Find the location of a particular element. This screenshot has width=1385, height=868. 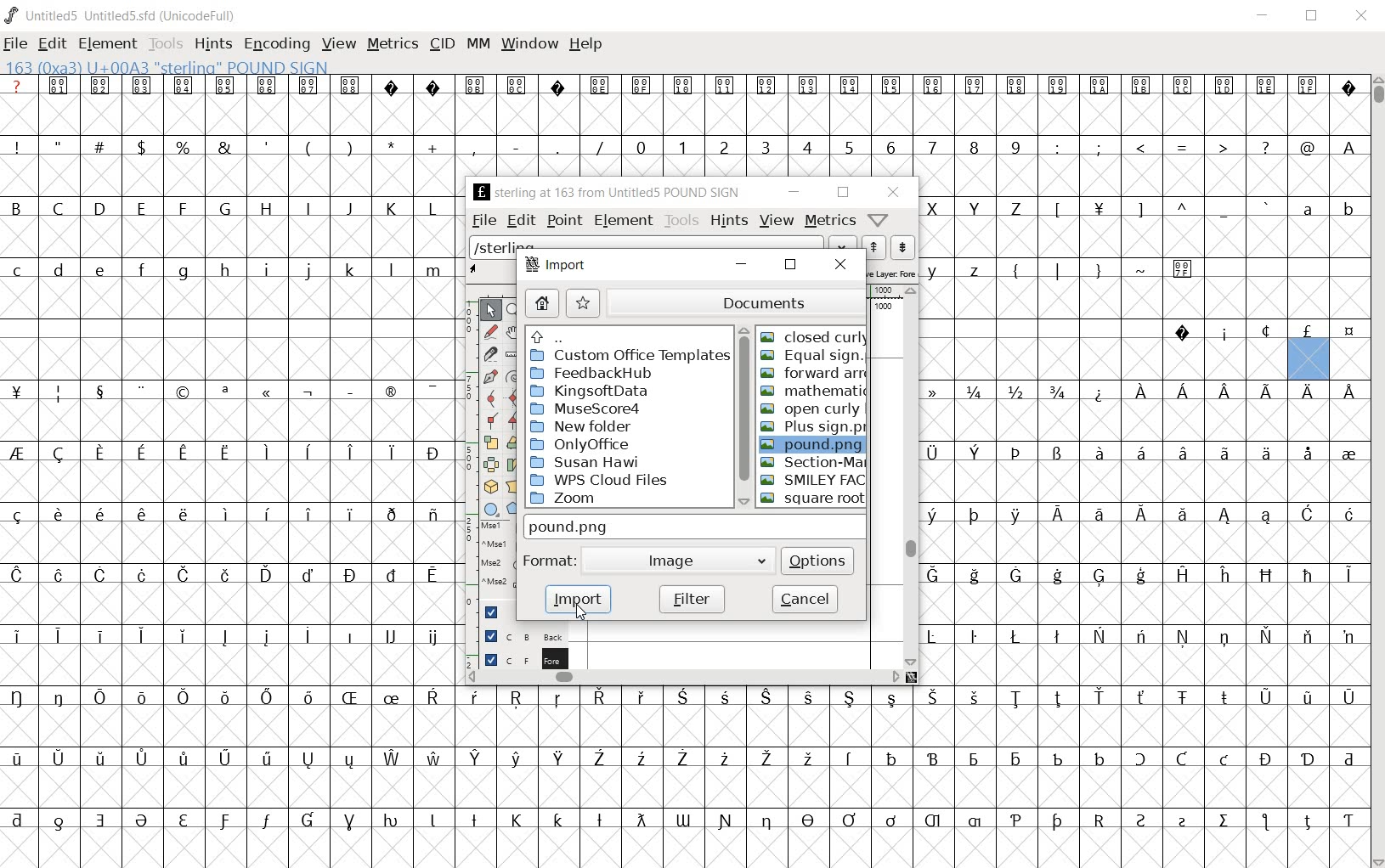

file is located at coordinates (483, 220).